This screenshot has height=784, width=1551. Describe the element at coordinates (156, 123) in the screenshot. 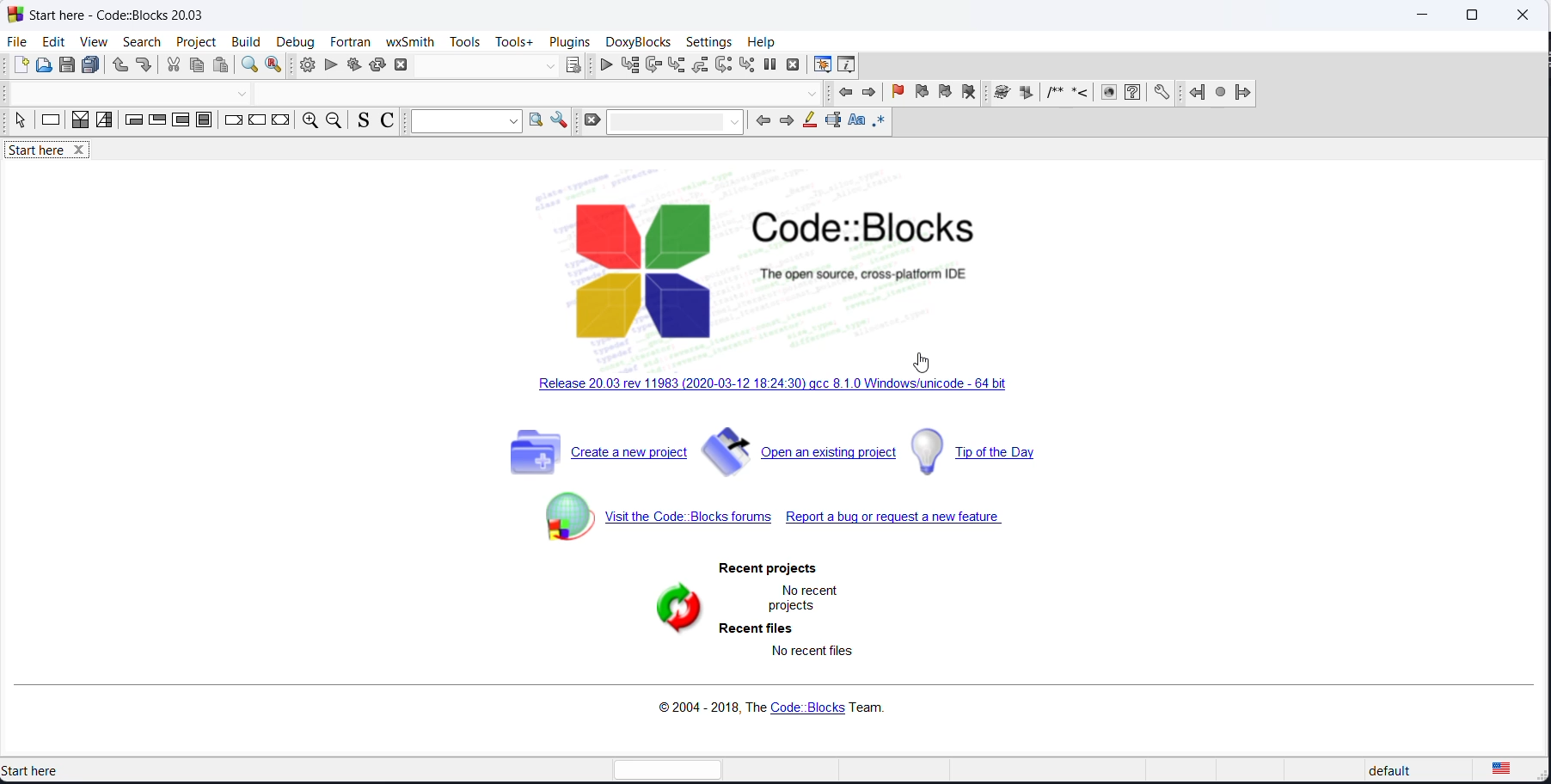

I see `exit condition loop` at that location.